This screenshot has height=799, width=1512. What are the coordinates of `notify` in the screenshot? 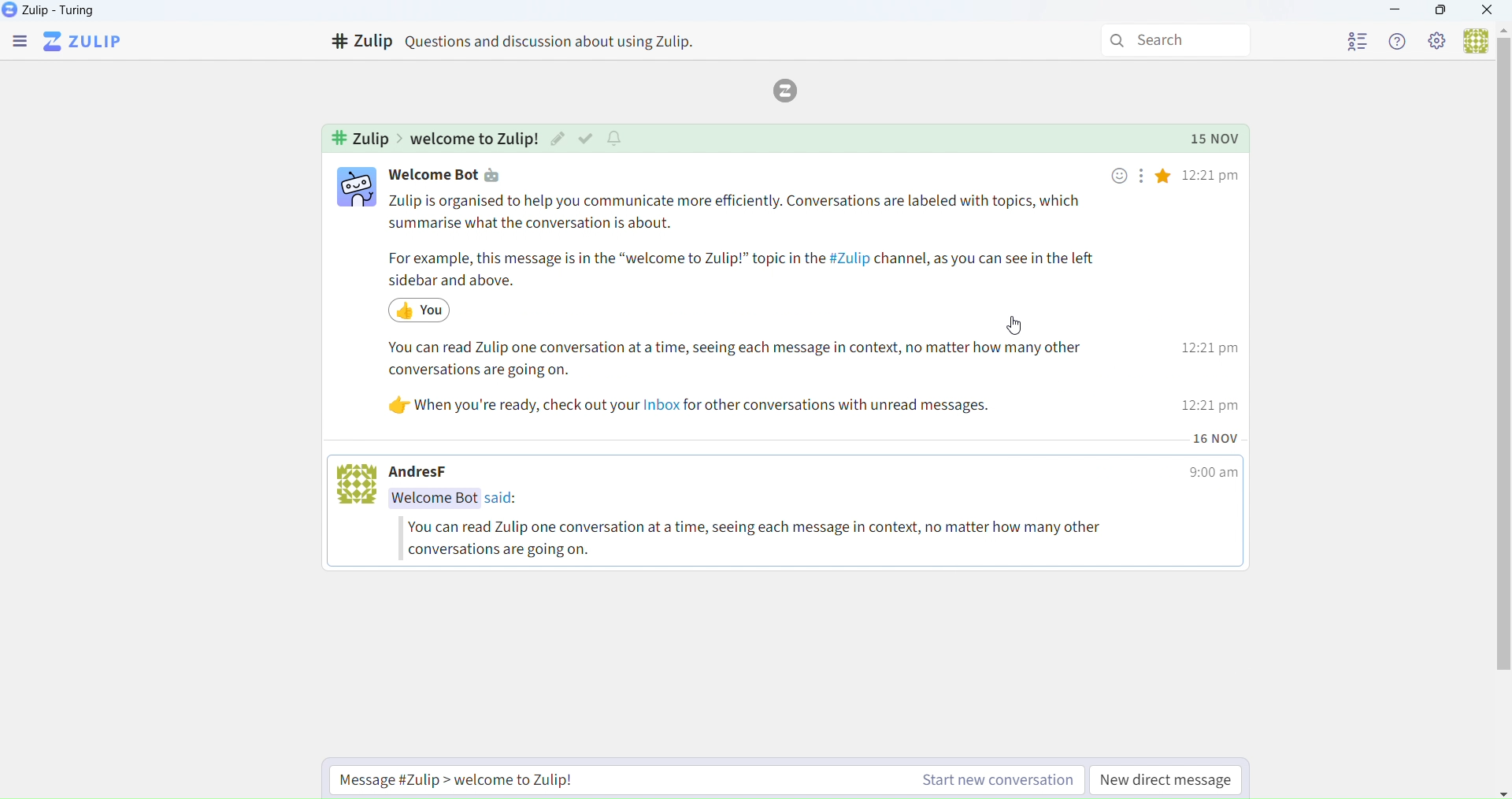 It's located at (617, 138).